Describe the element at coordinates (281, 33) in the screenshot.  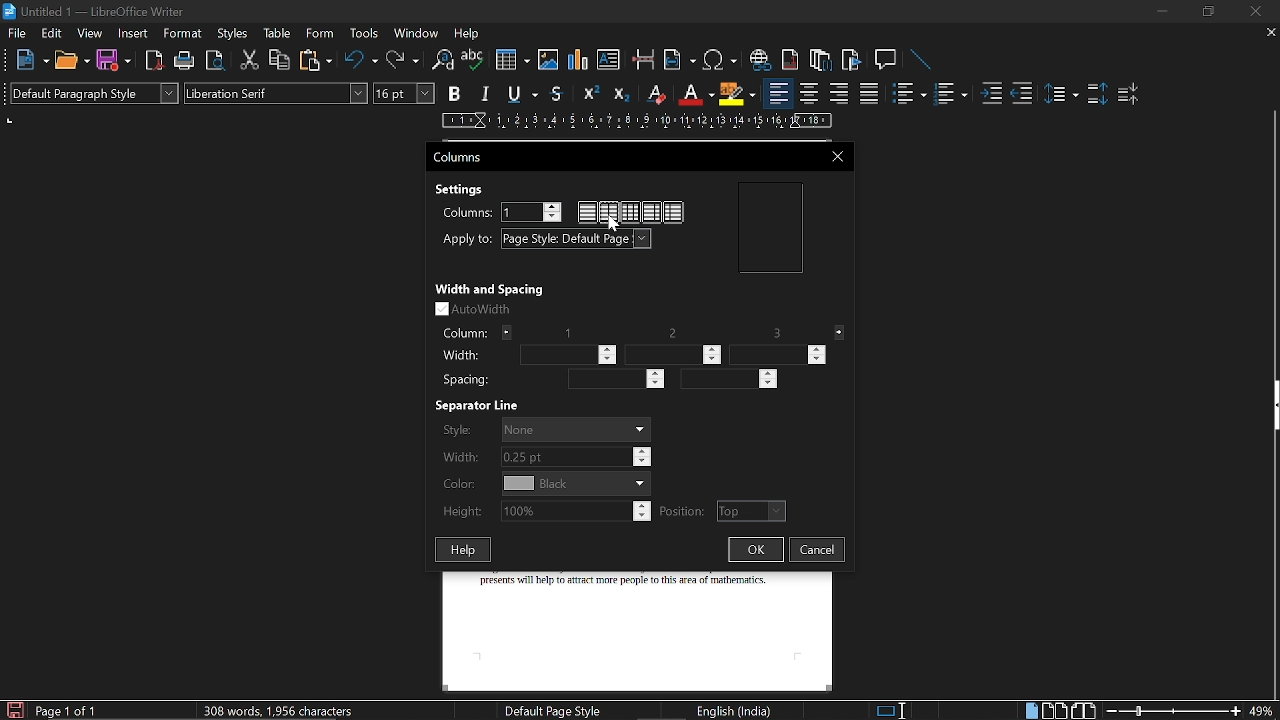
I see `Table` at that location.